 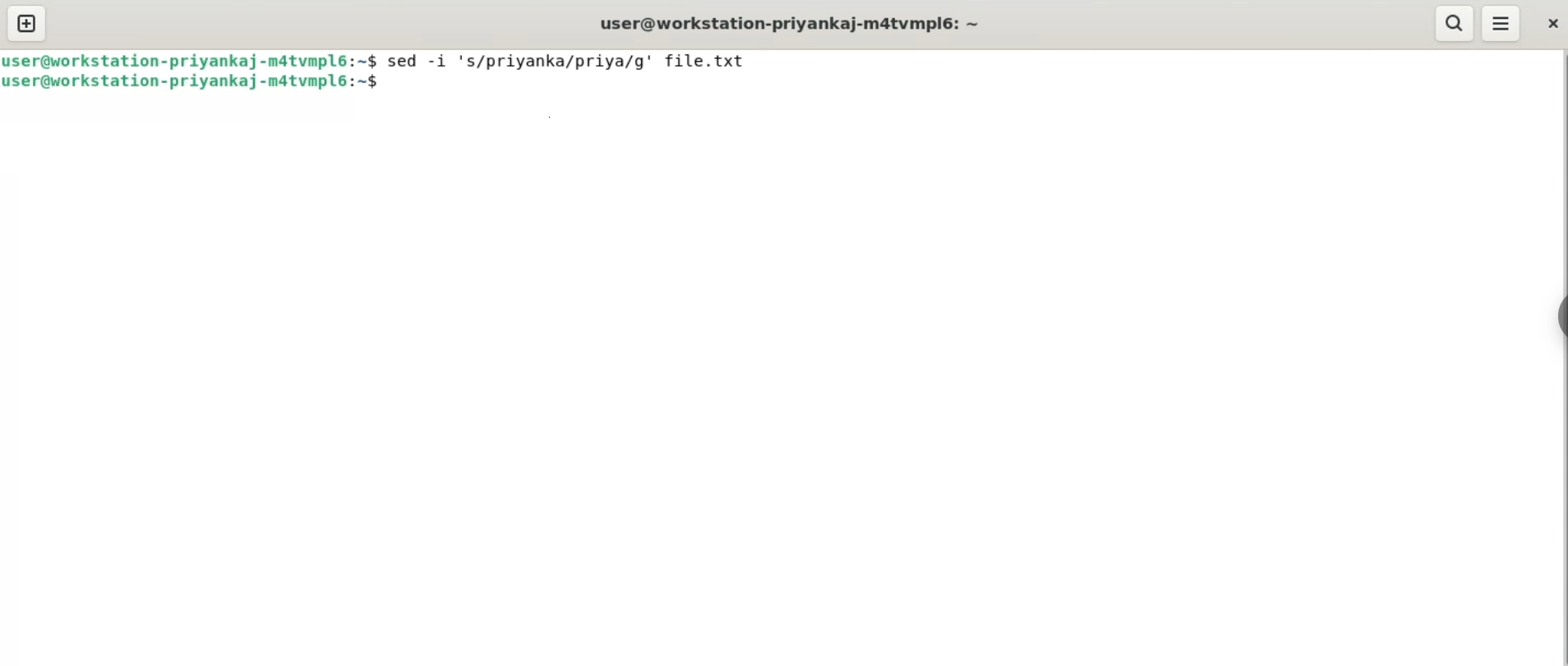 I want to click on user@workstation-priyankaj-m4tvmplé: ~, so click(x=793, y=25).